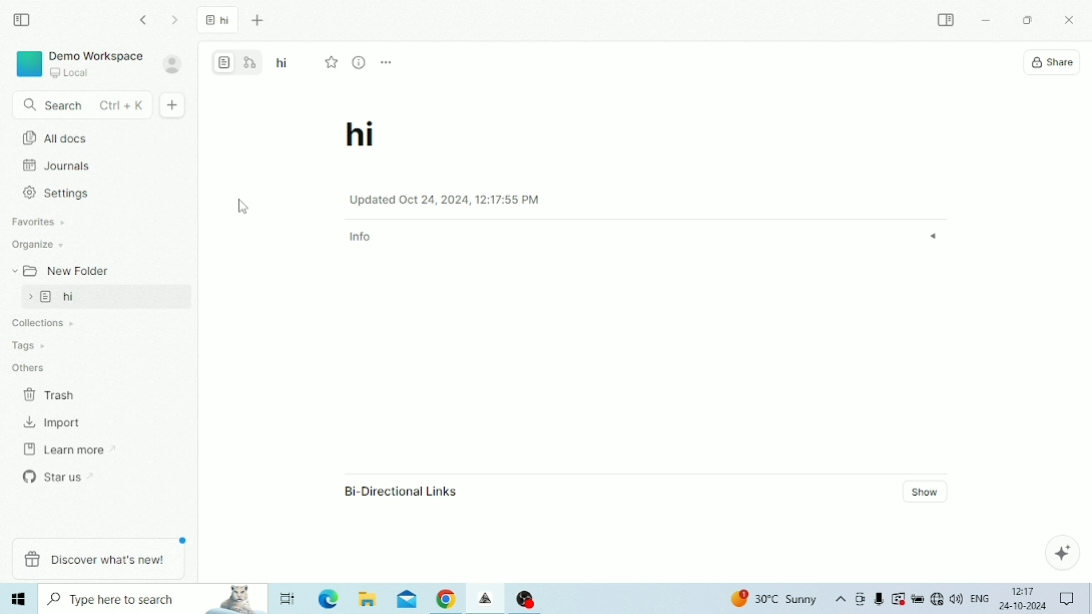  What do you see at coordinates (928, 491) in the screenshot?
I see `Show` at bounding box center [928, 491].